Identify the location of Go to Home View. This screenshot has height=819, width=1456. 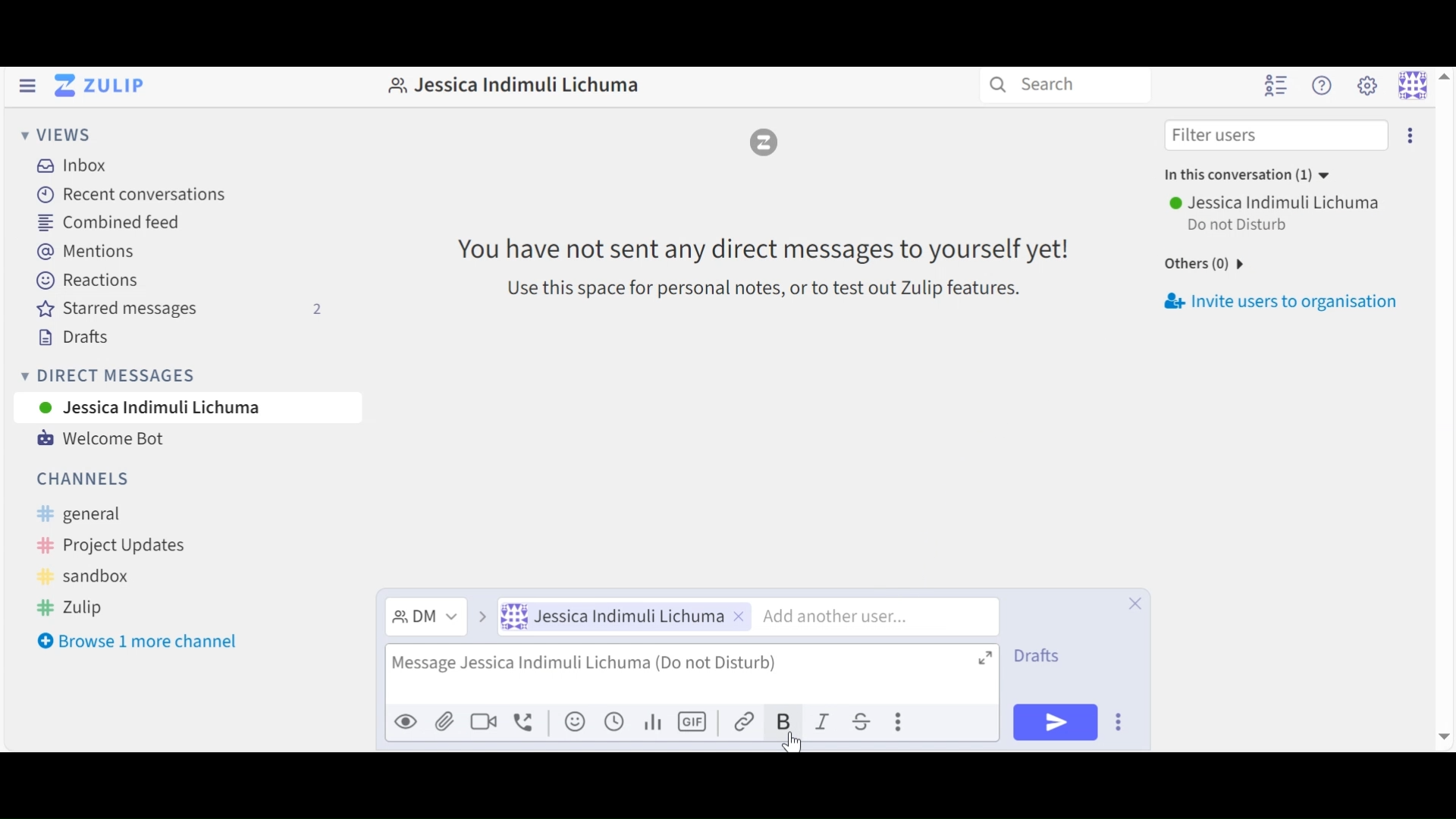
(97, 87).